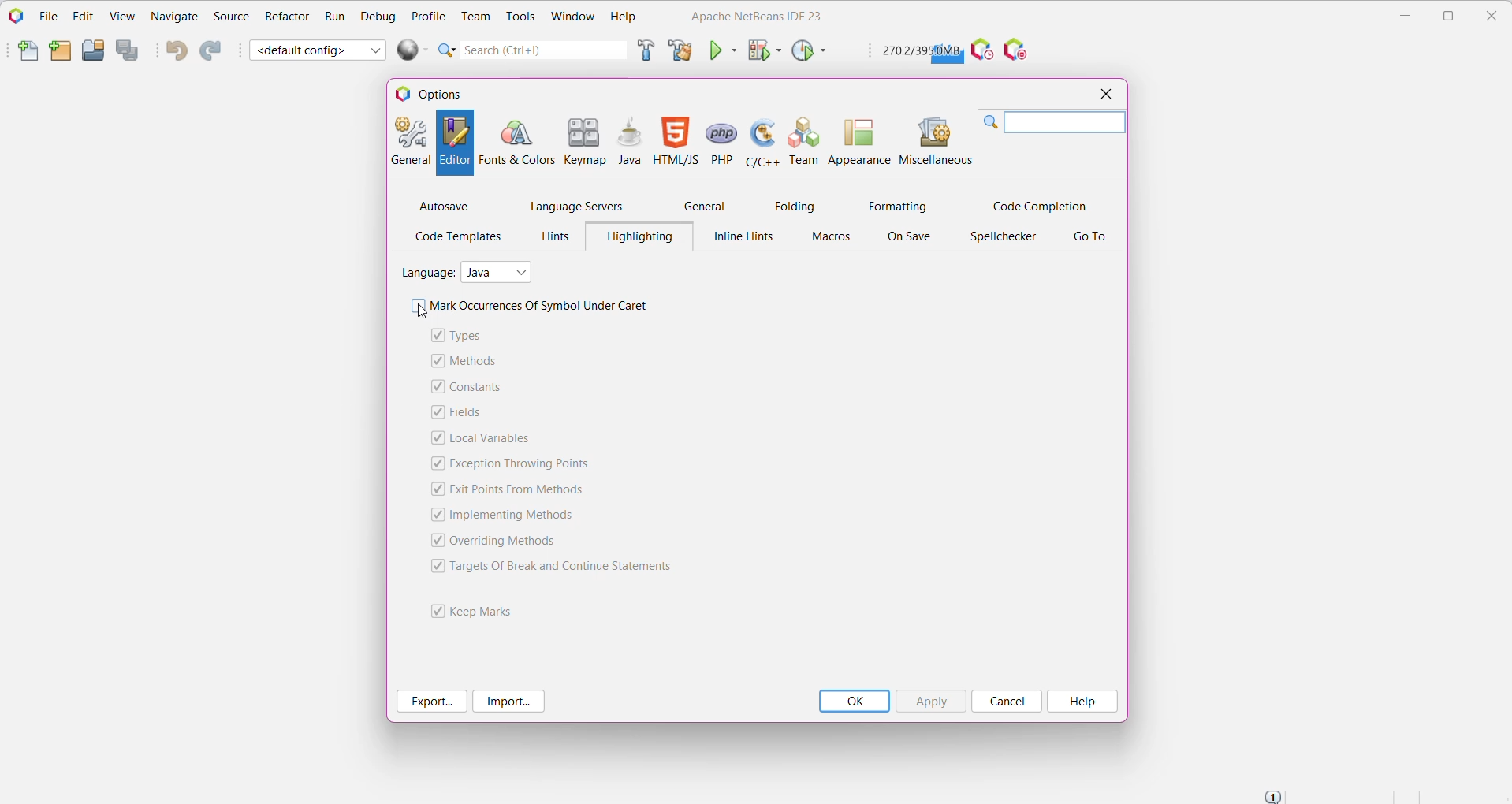 The height and width of the screenshot is (804, 1512). Describe the element at coordinates (639, 236) in the screenshot. I see `Highlighting` at that location.